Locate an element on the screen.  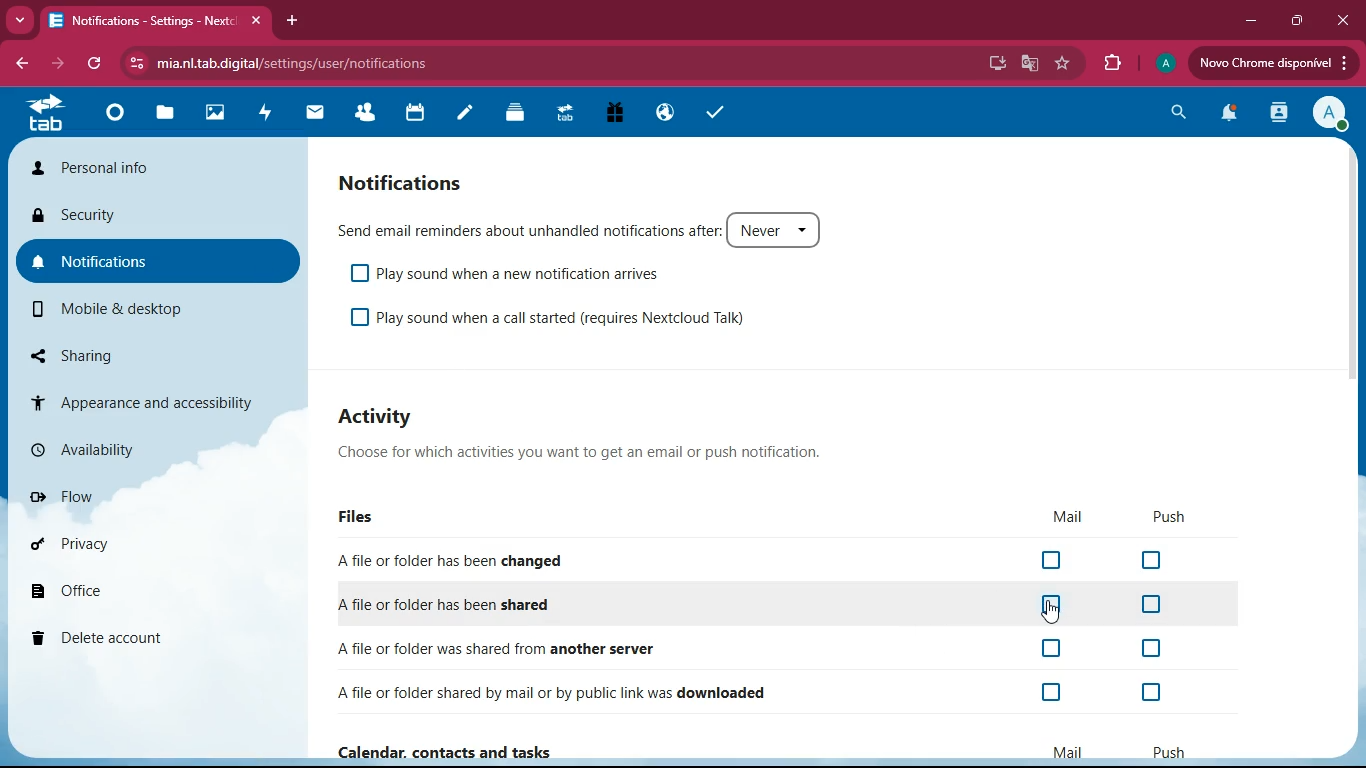
profile is located at coordinates (1331, 113).